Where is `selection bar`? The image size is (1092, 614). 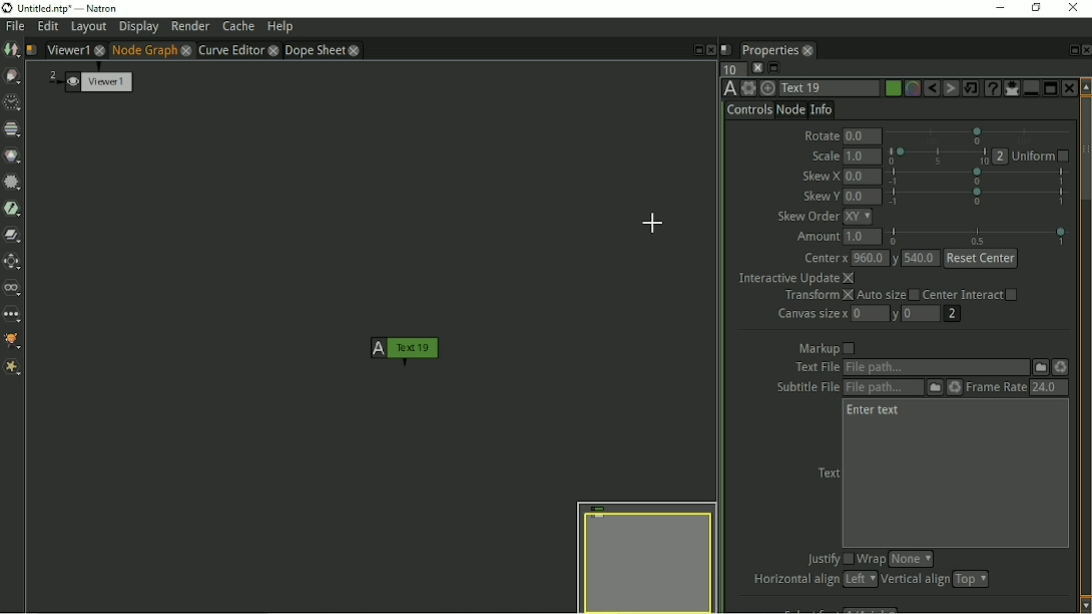 selection bar is located at coordinates (975, 134).